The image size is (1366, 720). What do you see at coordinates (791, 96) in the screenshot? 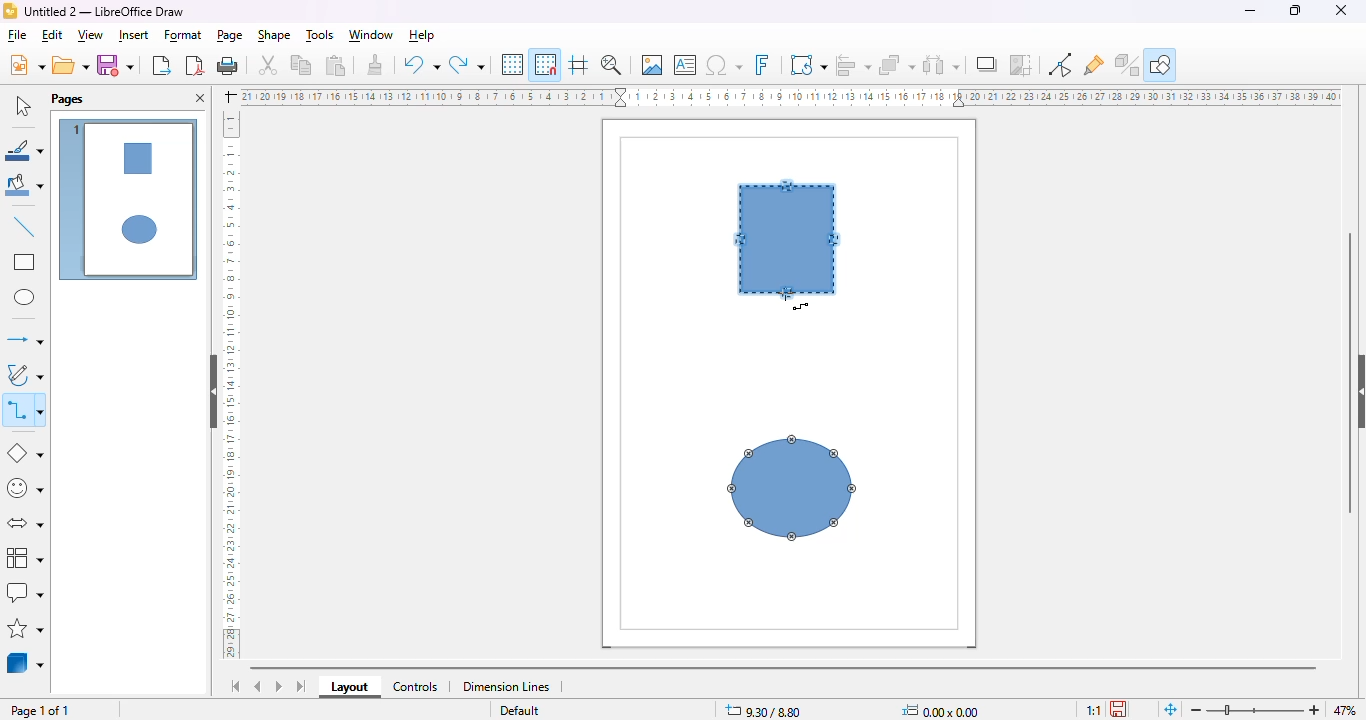
I see `ruler` at bounding box center [791, 96].